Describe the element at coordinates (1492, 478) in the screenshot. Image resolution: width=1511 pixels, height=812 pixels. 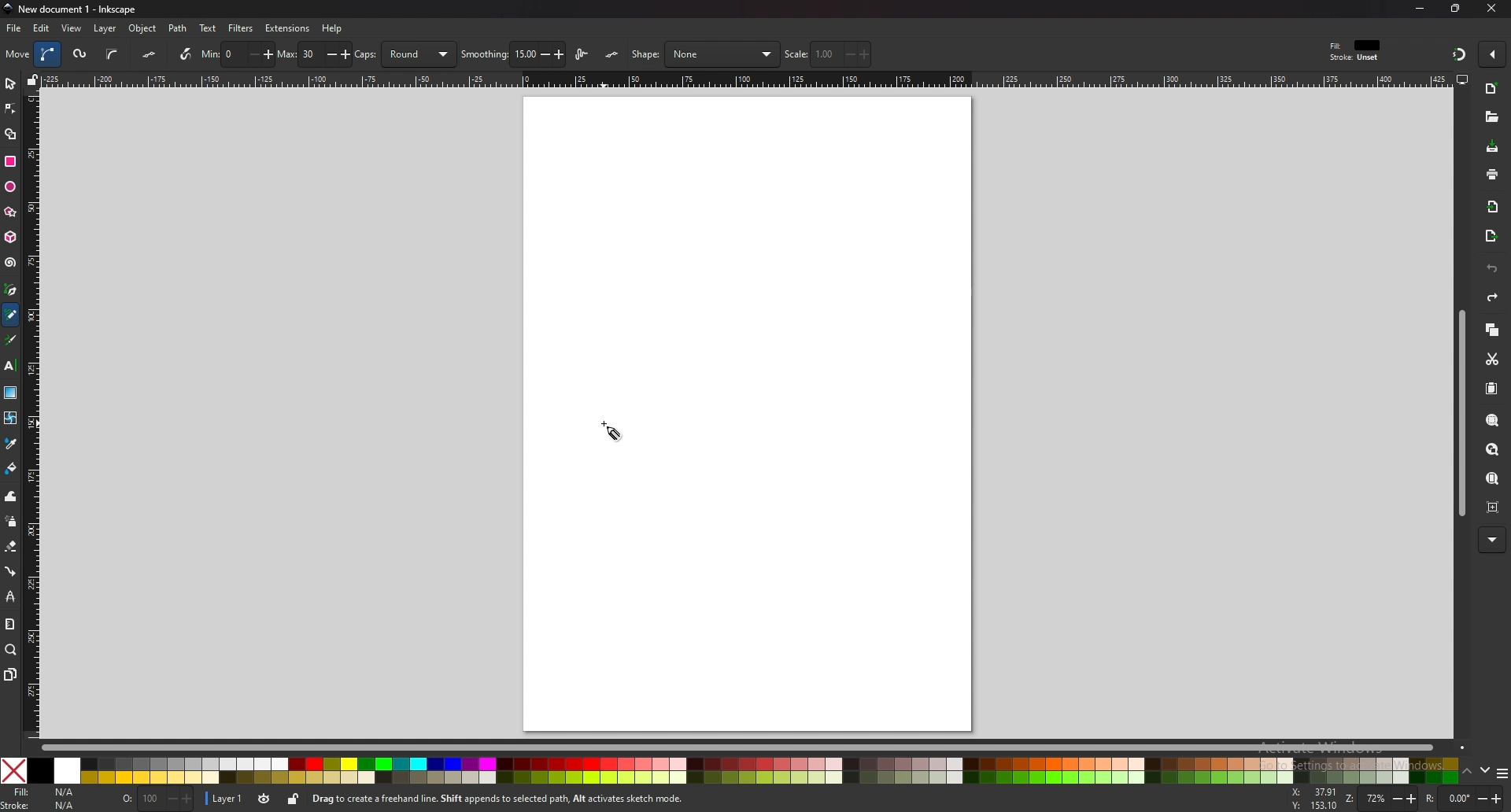
I see `zoom page` at that location.